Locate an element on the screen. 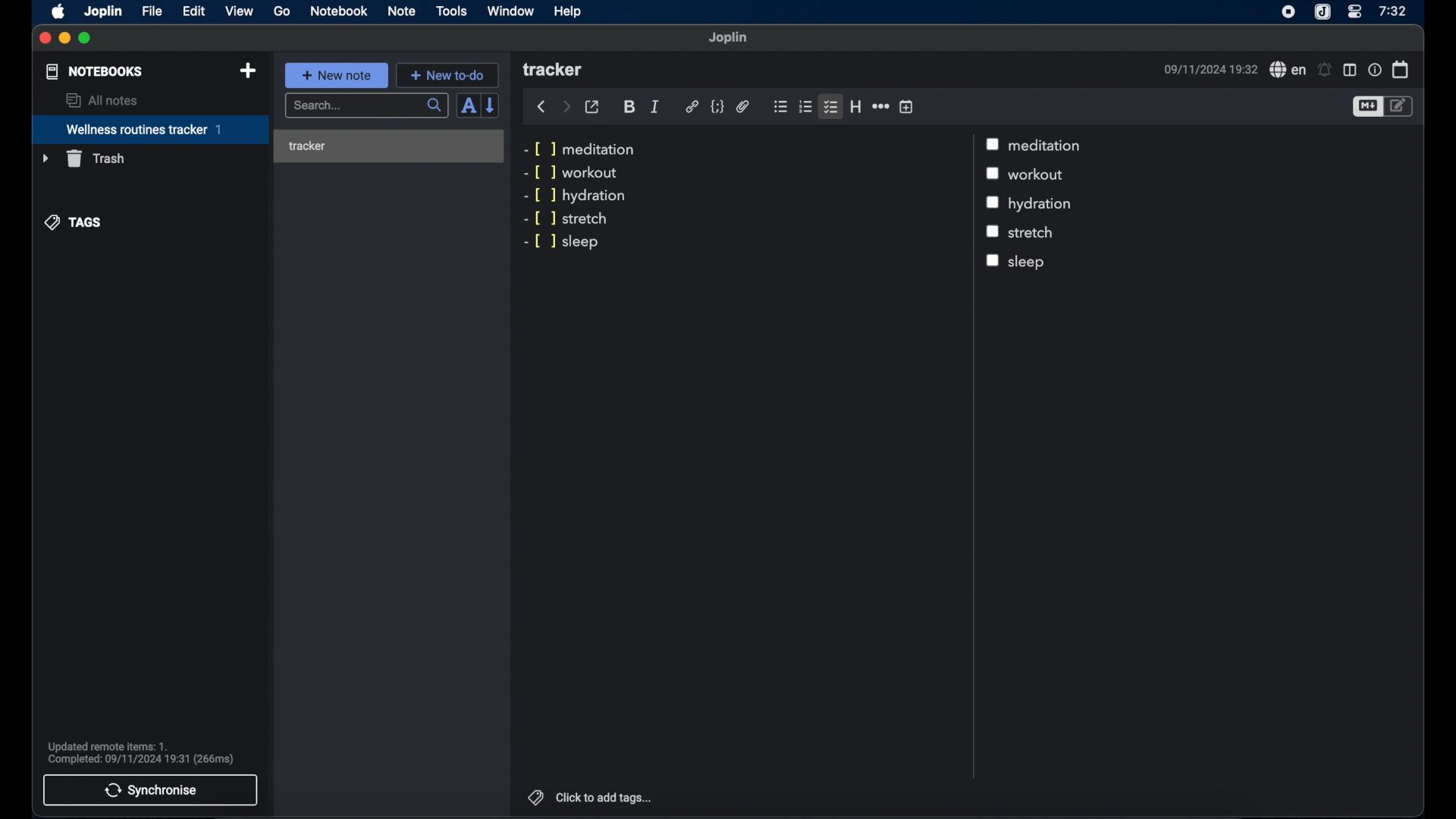 This screenshot has height=819, width=1456. set alarms is located at coordinates (1325, 70).